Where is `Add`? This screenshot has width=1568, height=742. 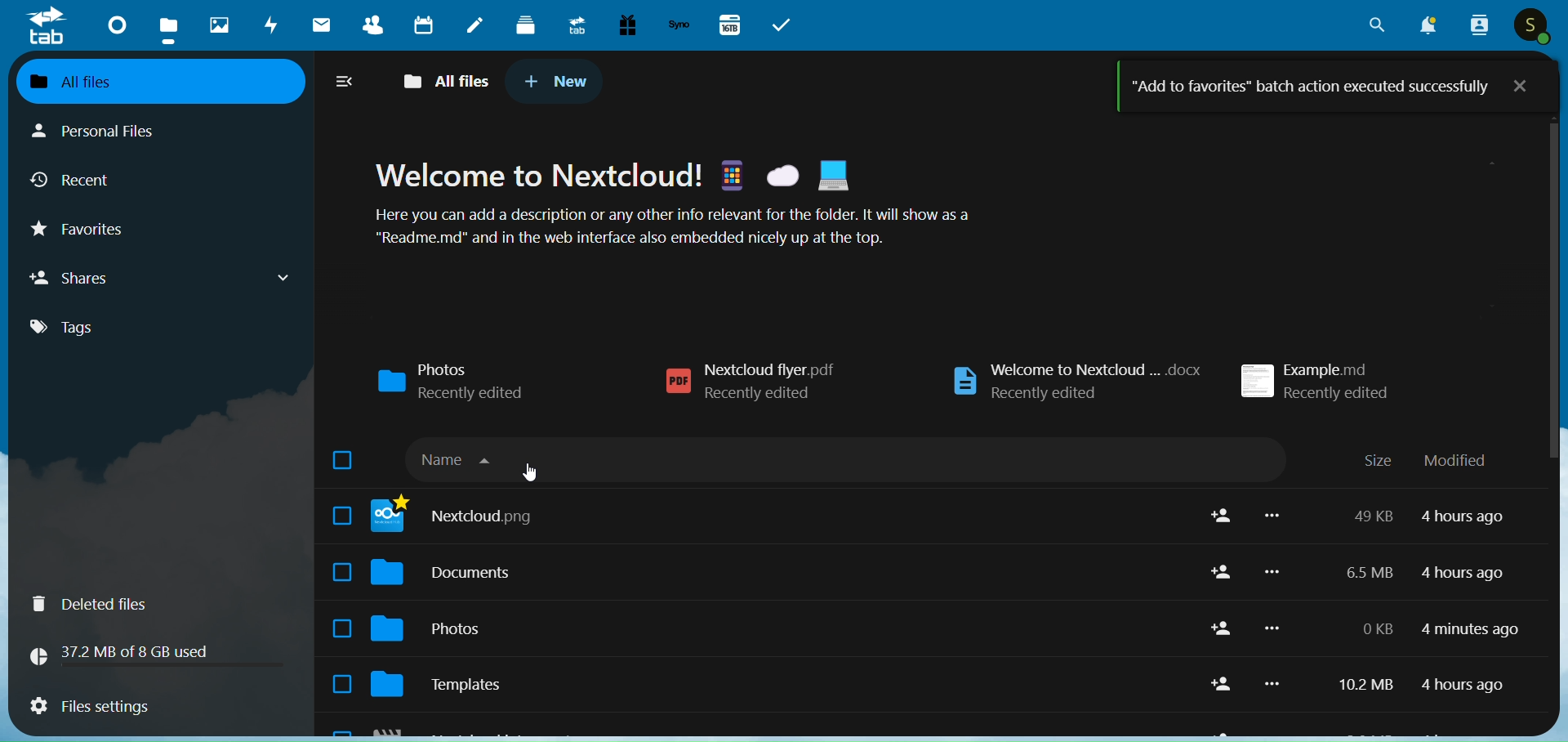 Add is located at coordinates (1223, 628).